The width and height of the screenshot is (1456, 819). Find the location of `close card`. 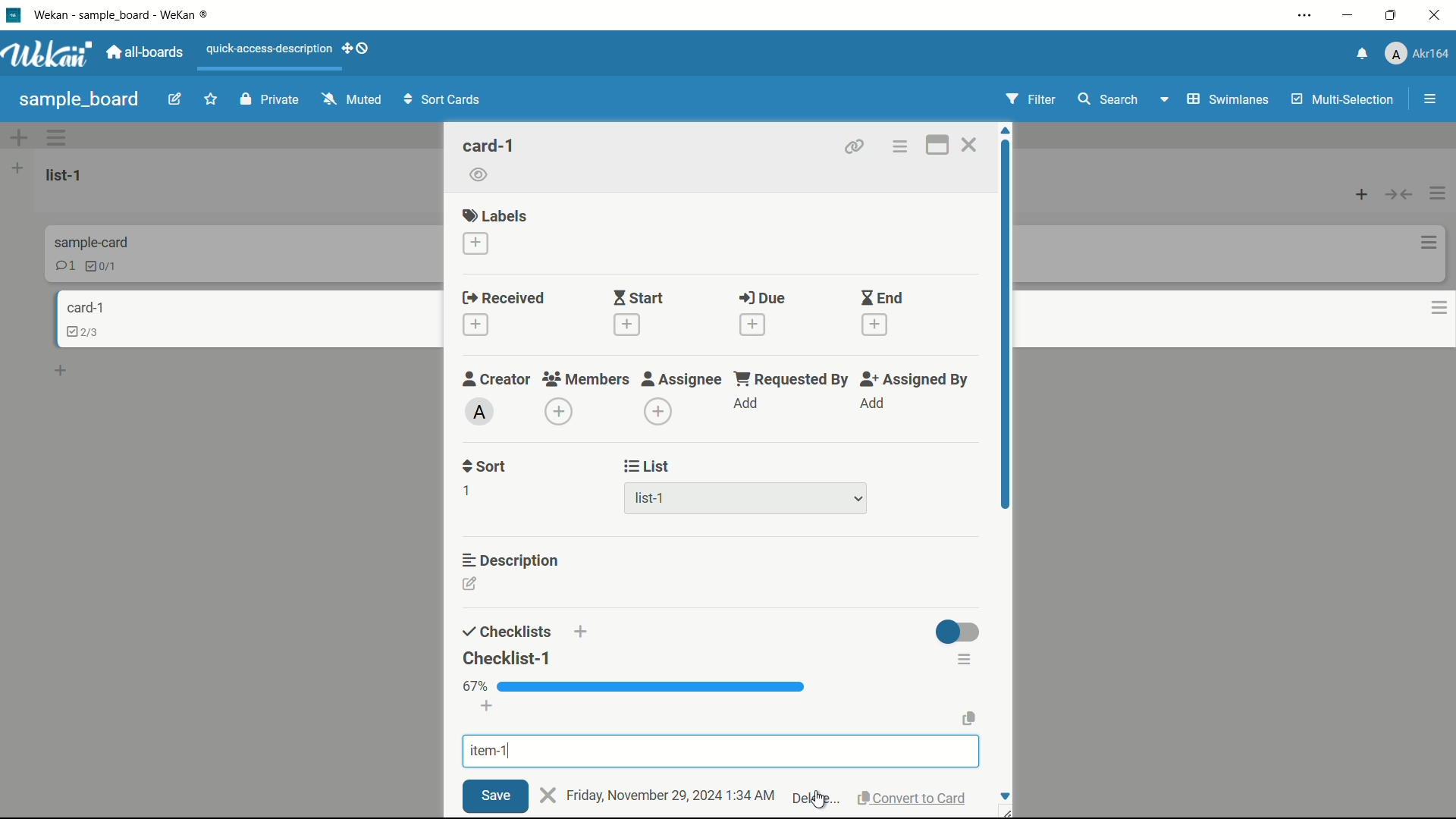

close card is located at coordinates (971, 147).